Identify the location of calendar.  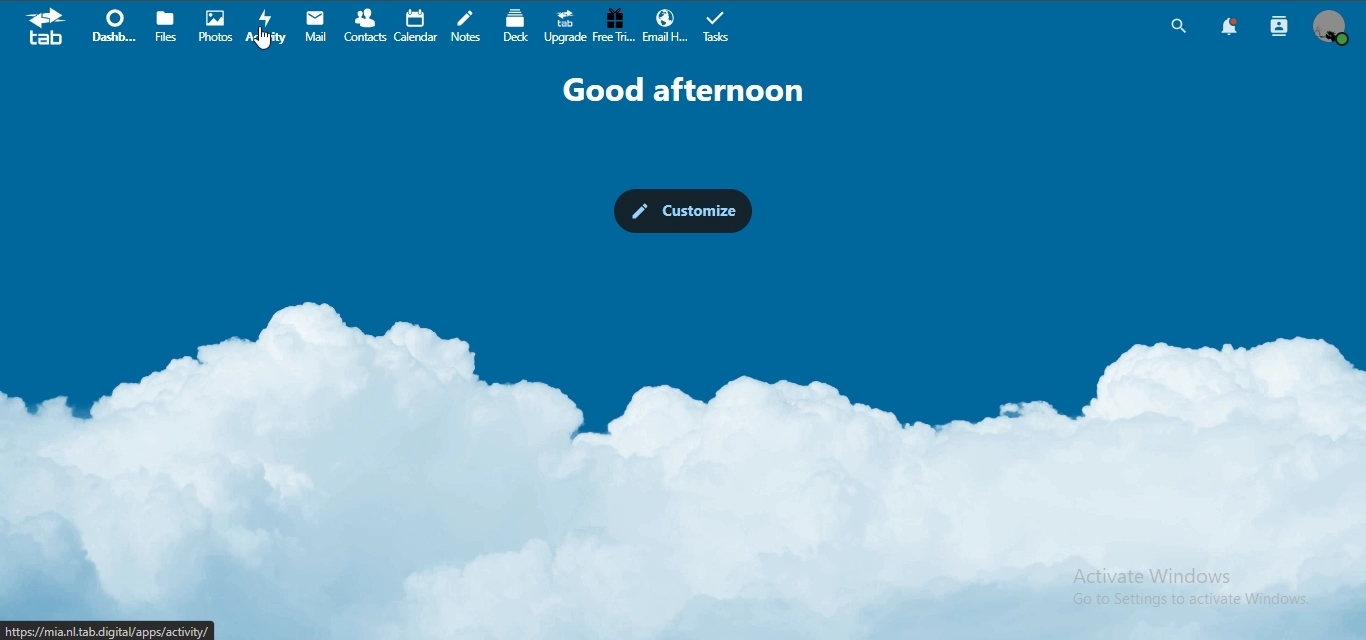
(417, 25).